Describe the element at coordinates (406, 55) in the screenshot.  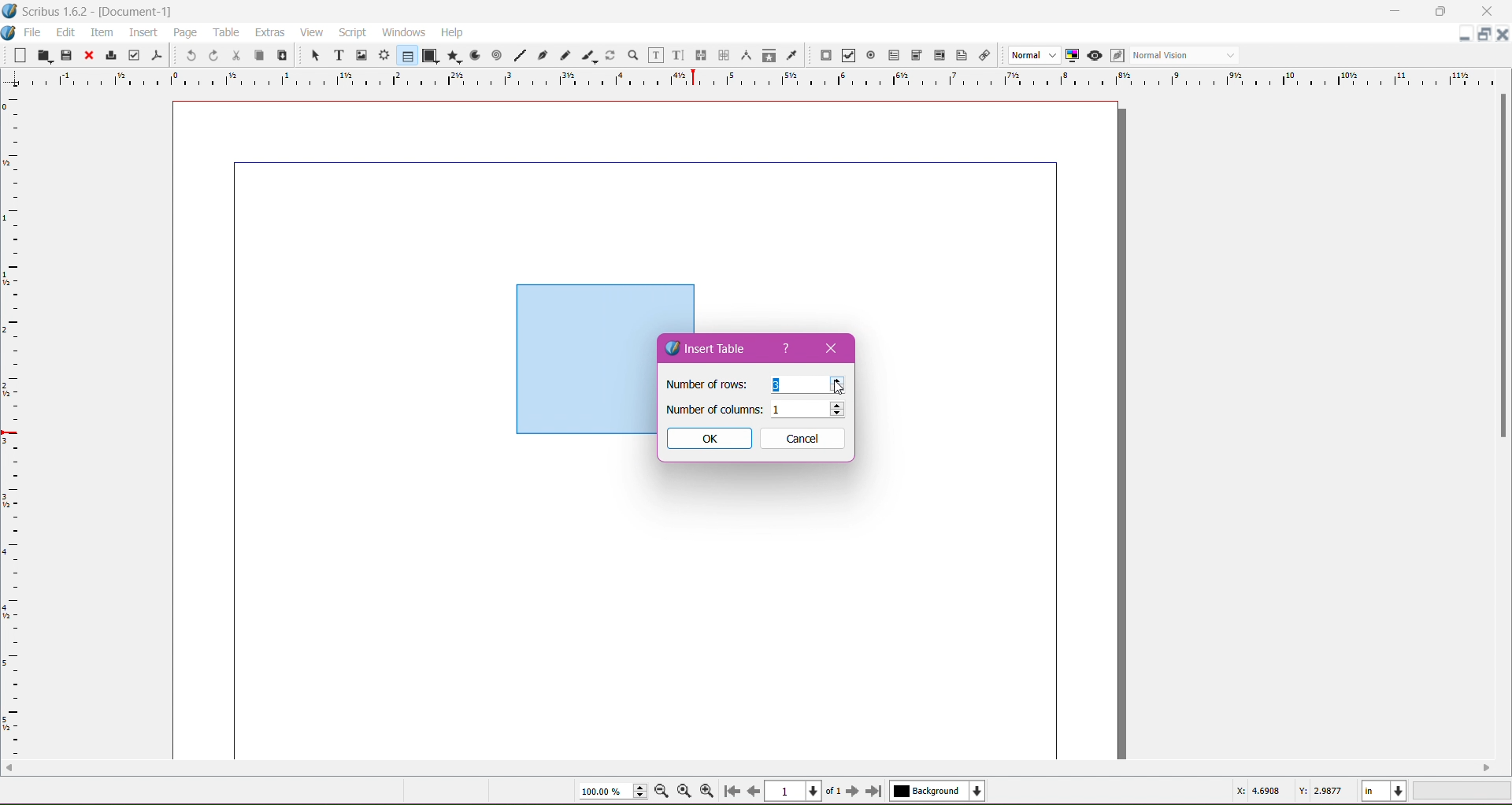
I see `Tables` at that location.